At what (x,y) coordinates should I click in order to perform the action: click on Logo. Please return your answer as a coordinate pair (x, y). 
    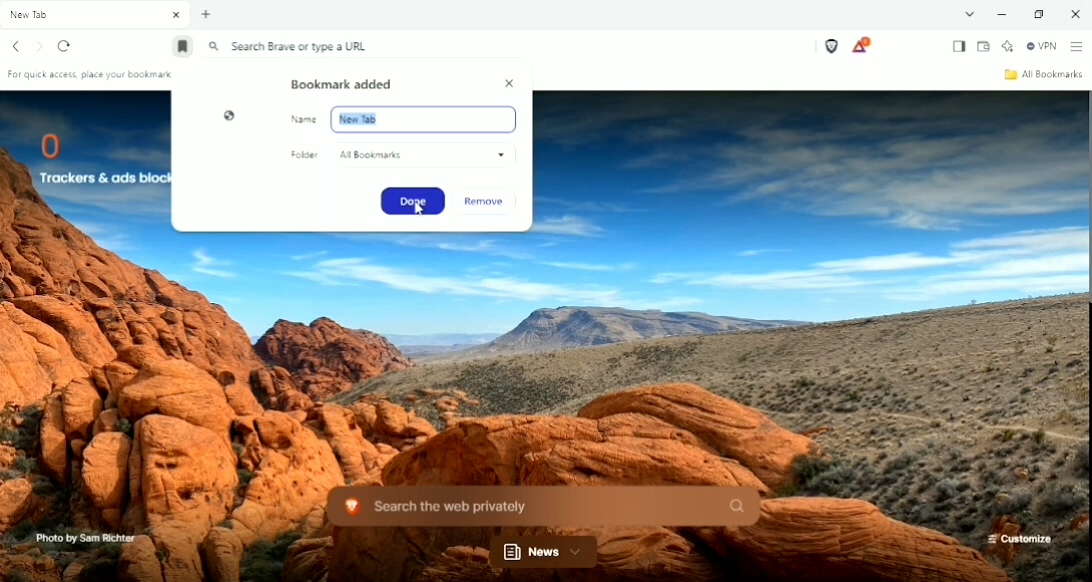
    Looking at the image, I should click on (228, 116).